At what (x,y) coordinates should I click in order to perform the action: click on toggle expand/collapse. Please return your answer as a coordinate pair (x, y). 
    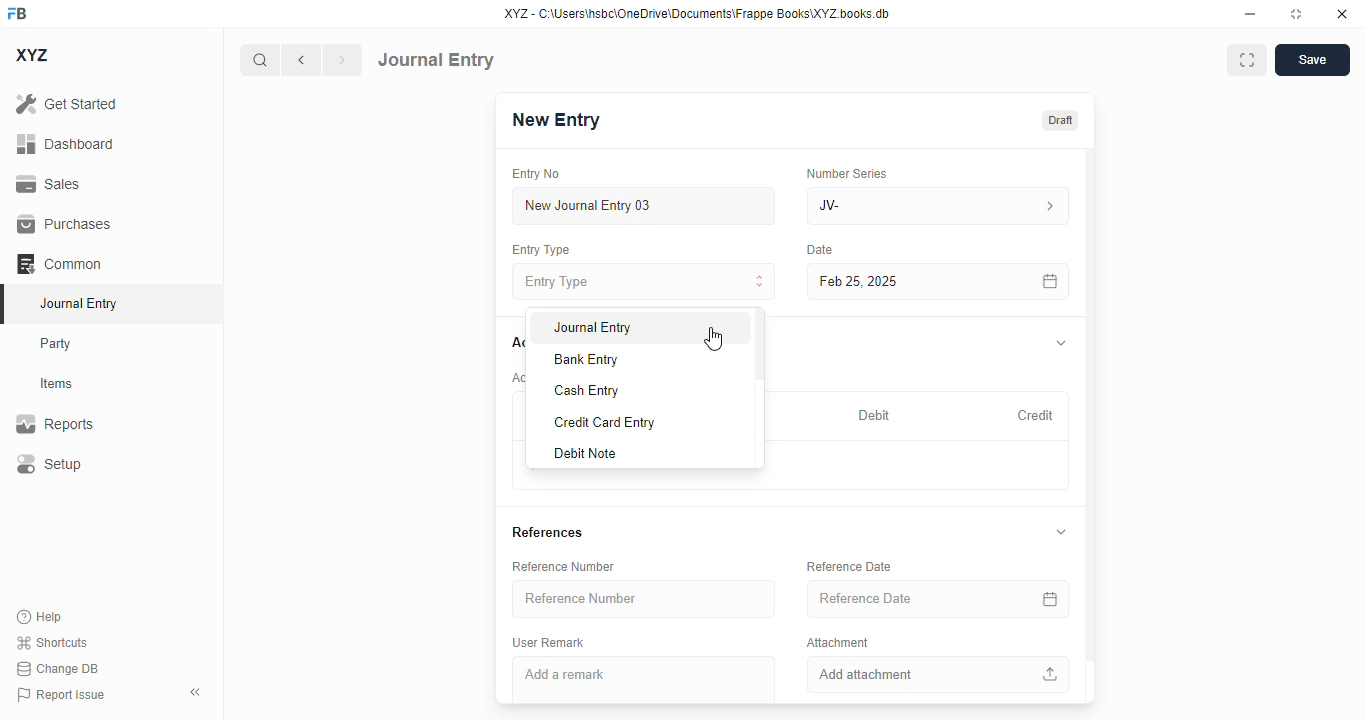
    Looking at the image, I should click on (1062, 532).